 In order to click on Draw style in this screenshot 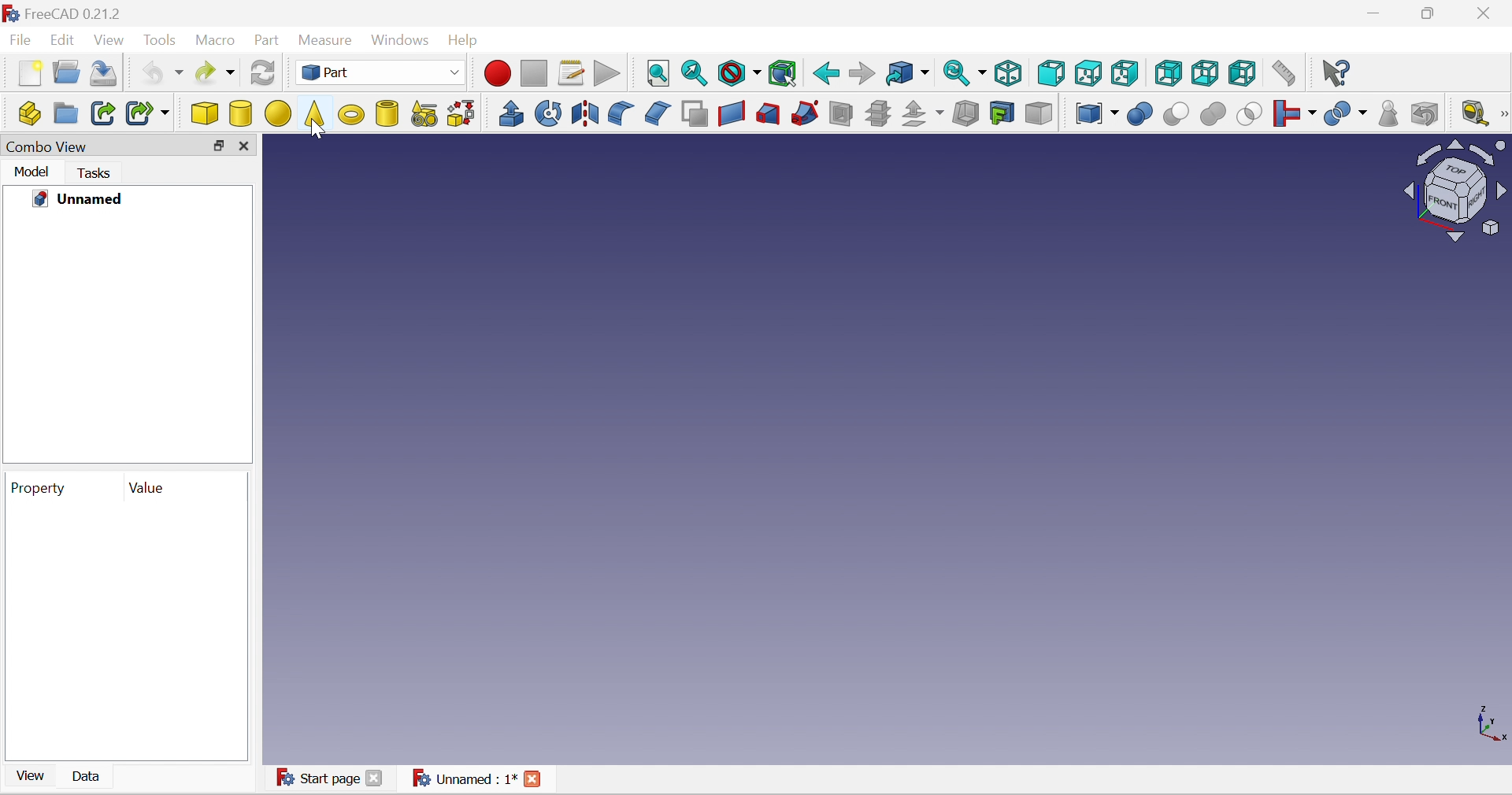, I will do `click(738, 72)`.